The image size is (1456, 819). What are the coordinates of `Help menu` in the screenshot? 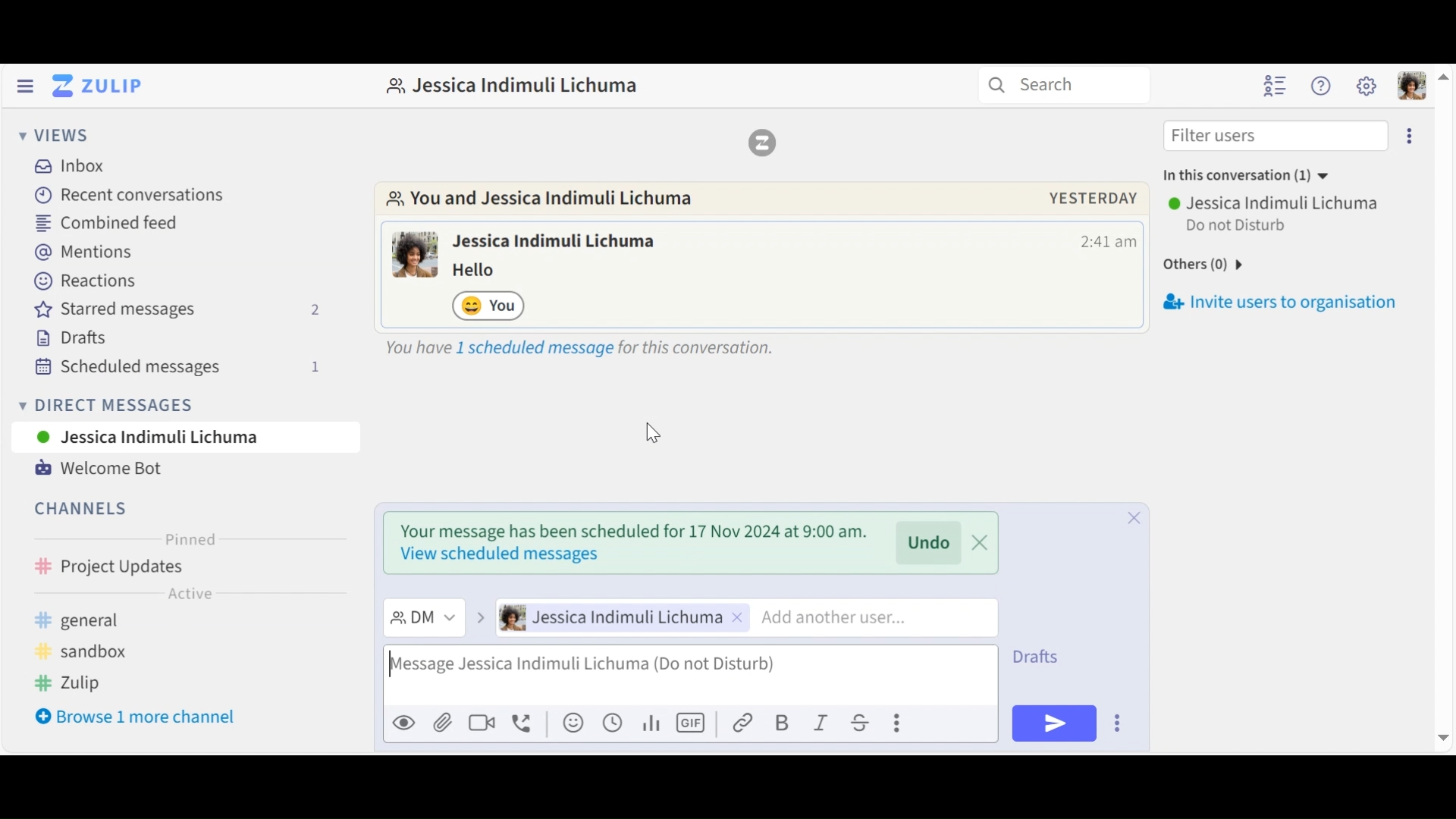 It's located at (1323, 86).